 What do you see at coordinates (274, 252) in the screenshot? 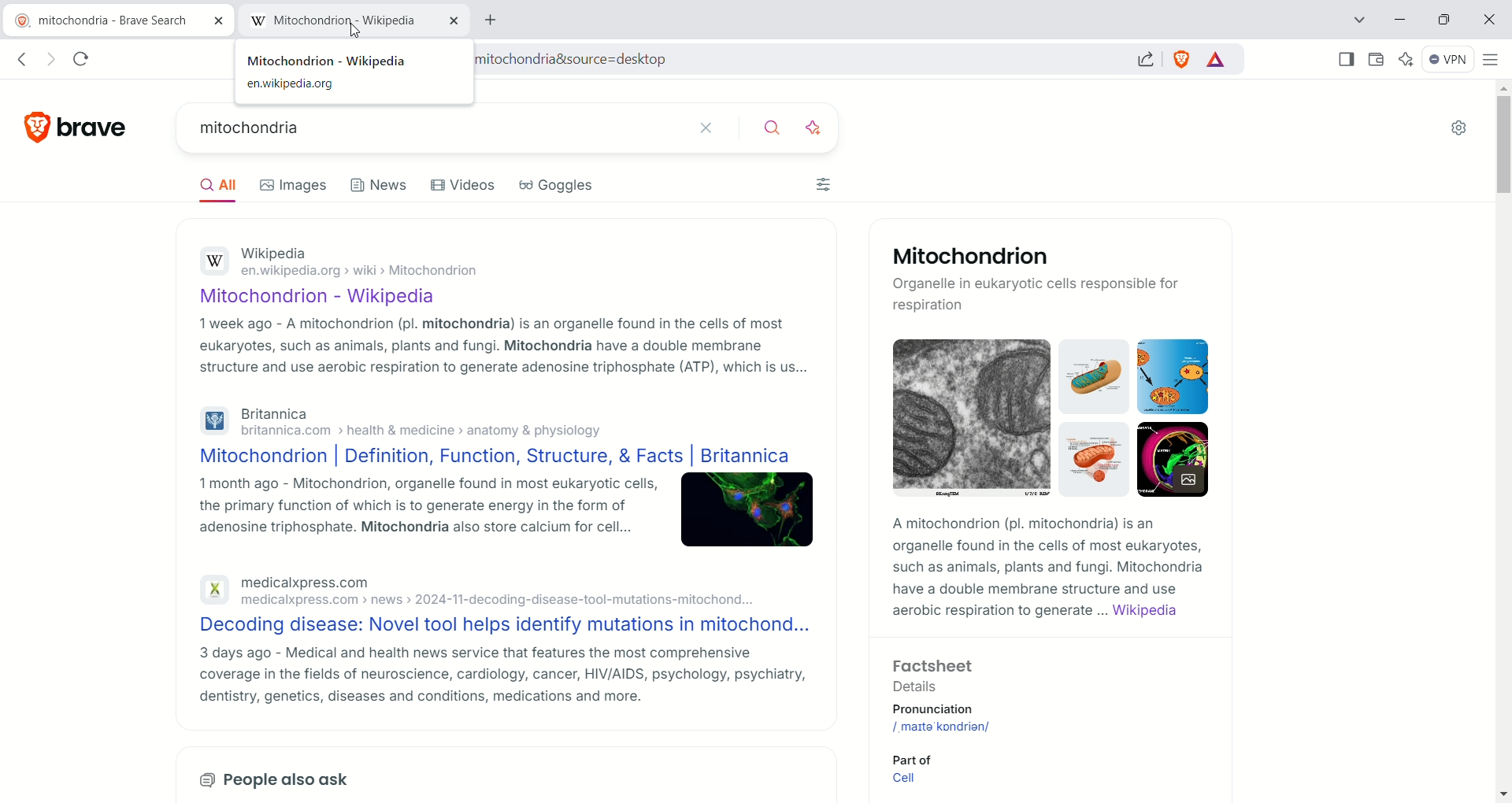
I see `Wikipedia` at bounding box center [274, 252].